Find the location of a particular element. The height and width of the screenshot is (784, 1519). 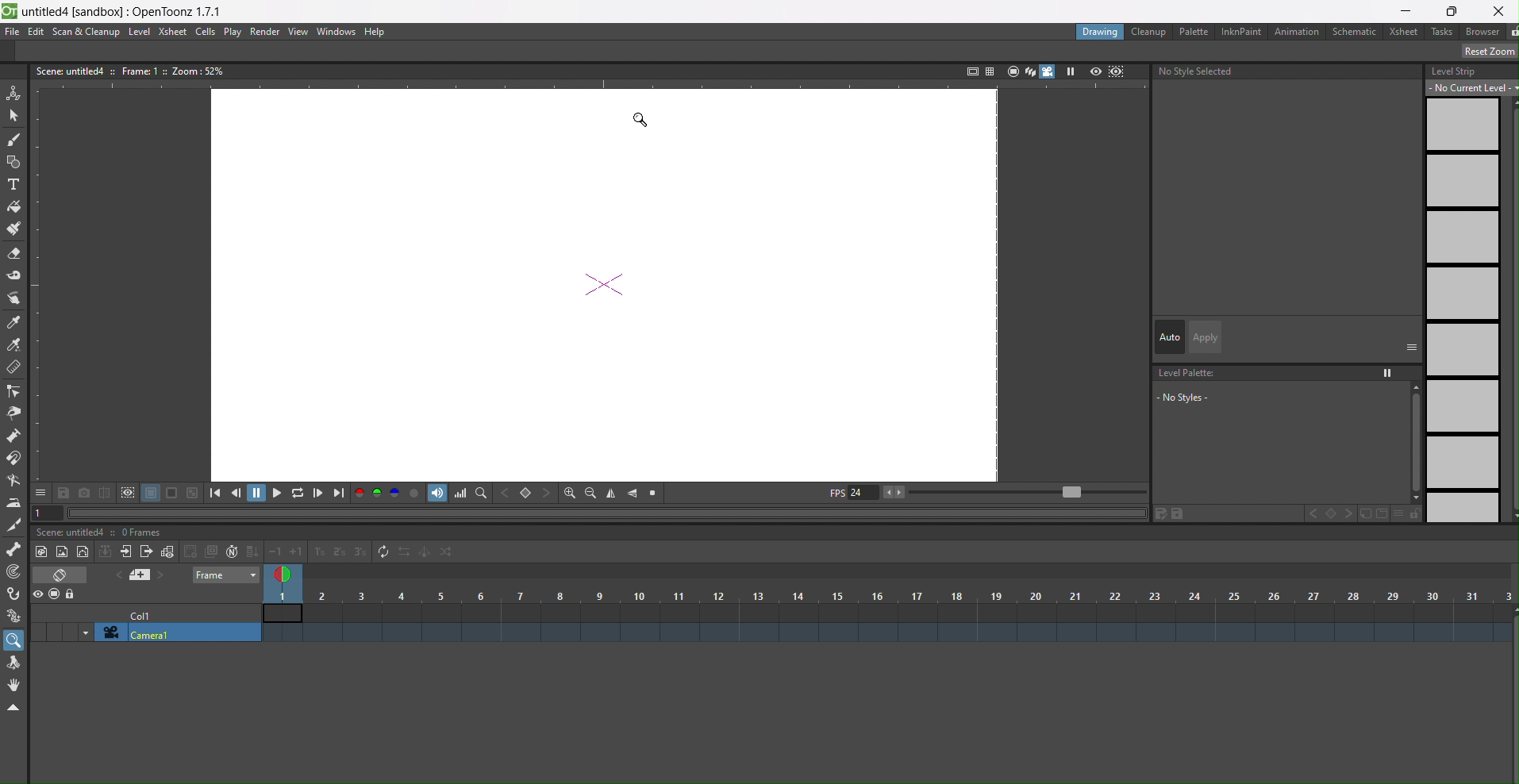

 is located at coordinates (656, 494).